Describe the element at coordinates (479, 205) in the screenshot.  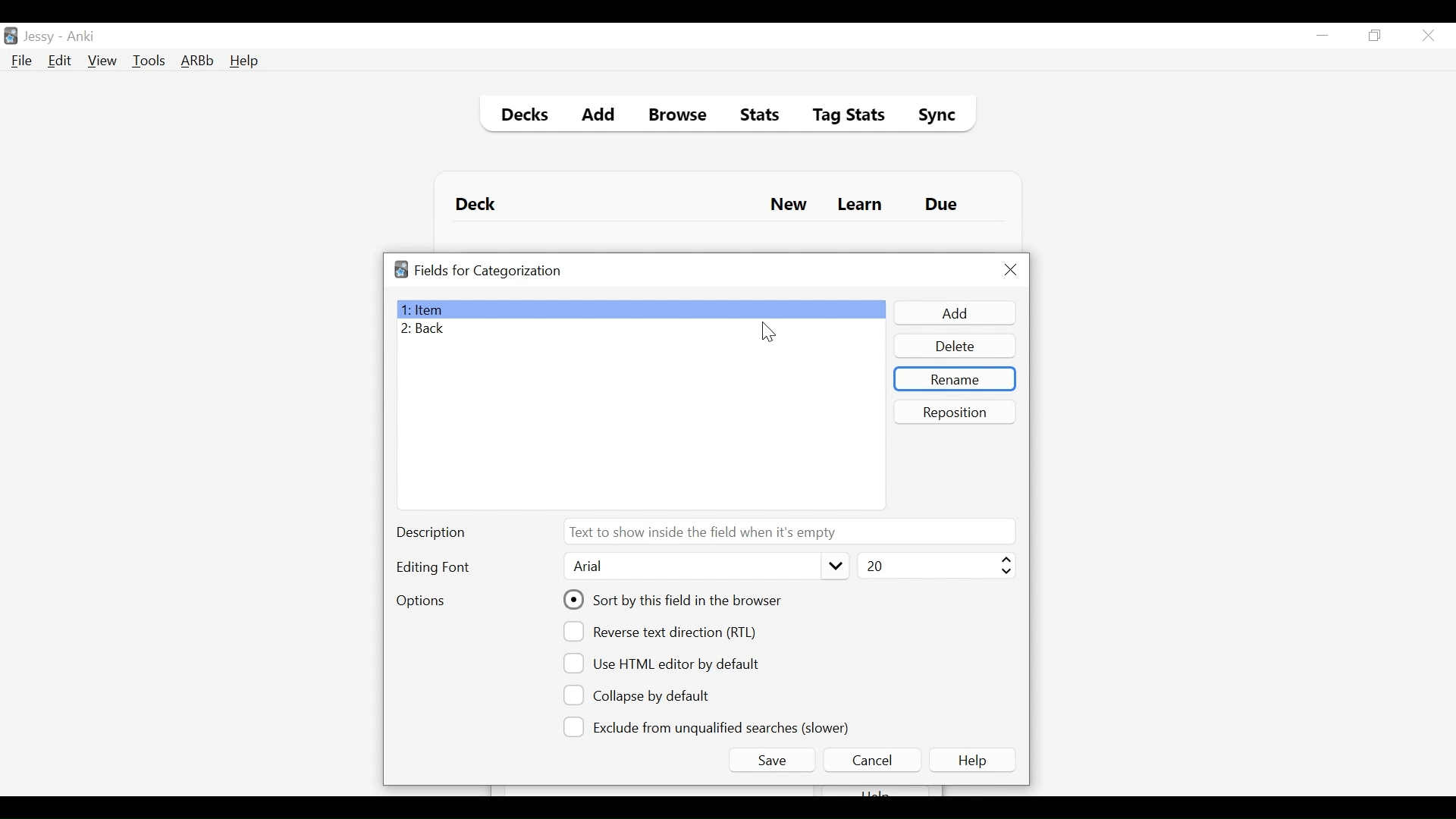
I see `Deck` at that location.